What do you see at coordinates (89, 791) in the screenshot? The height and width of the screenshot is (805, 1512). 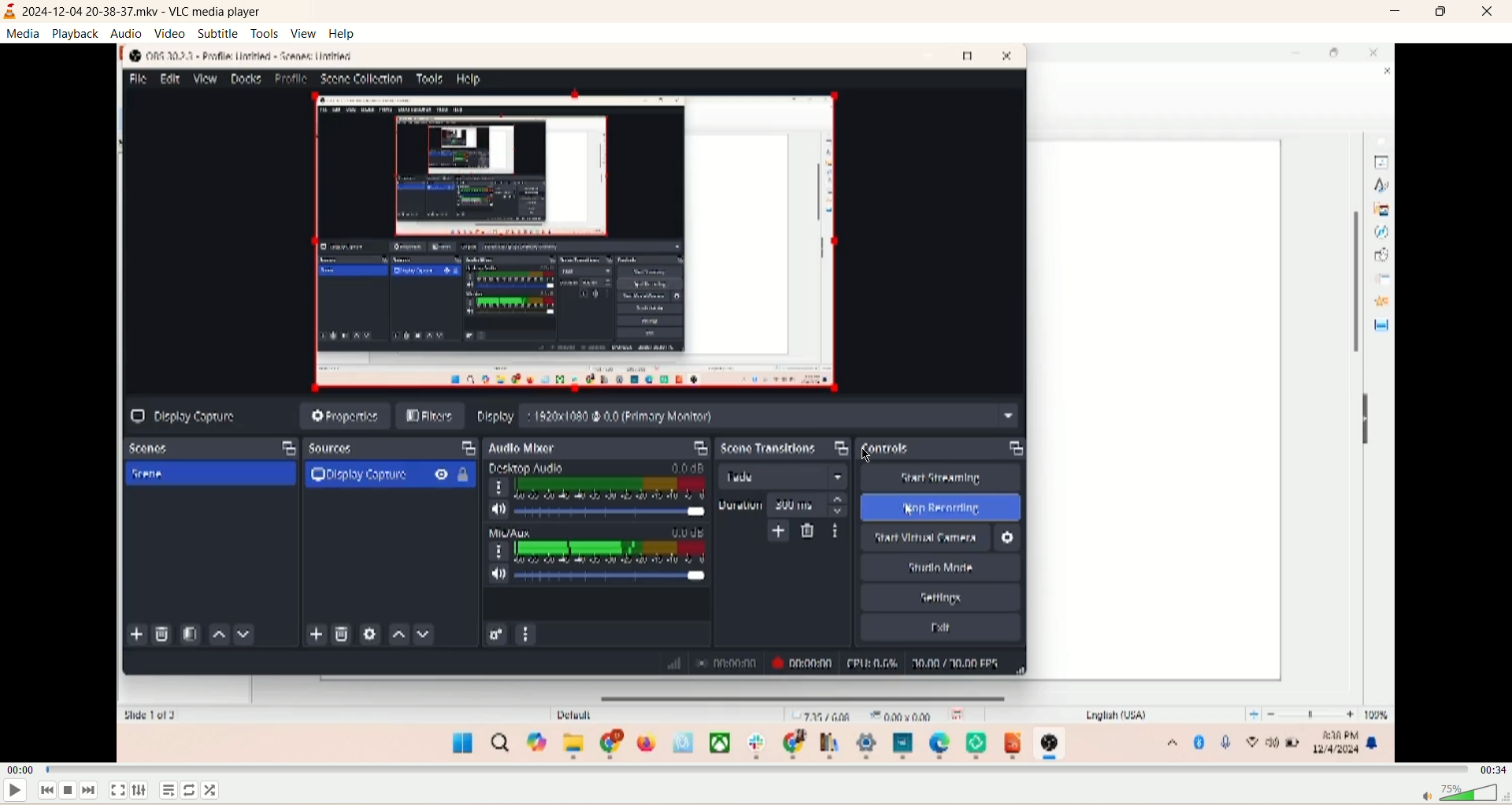 I see `next` at bounding box center [89, 791].